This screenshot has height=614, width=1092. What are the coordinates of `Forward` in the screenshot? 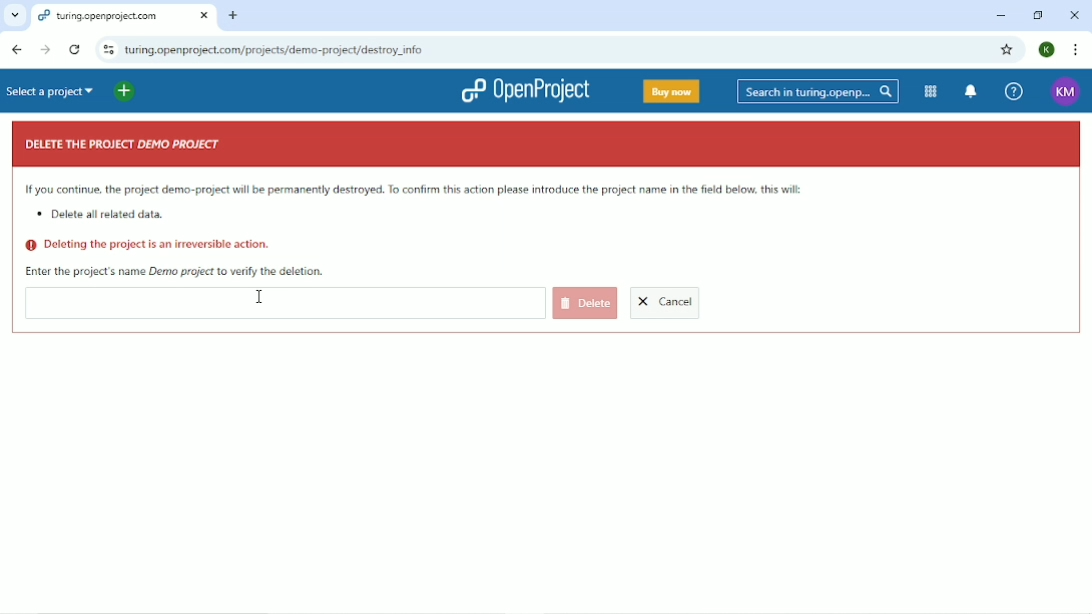 It's located at (43, 50).